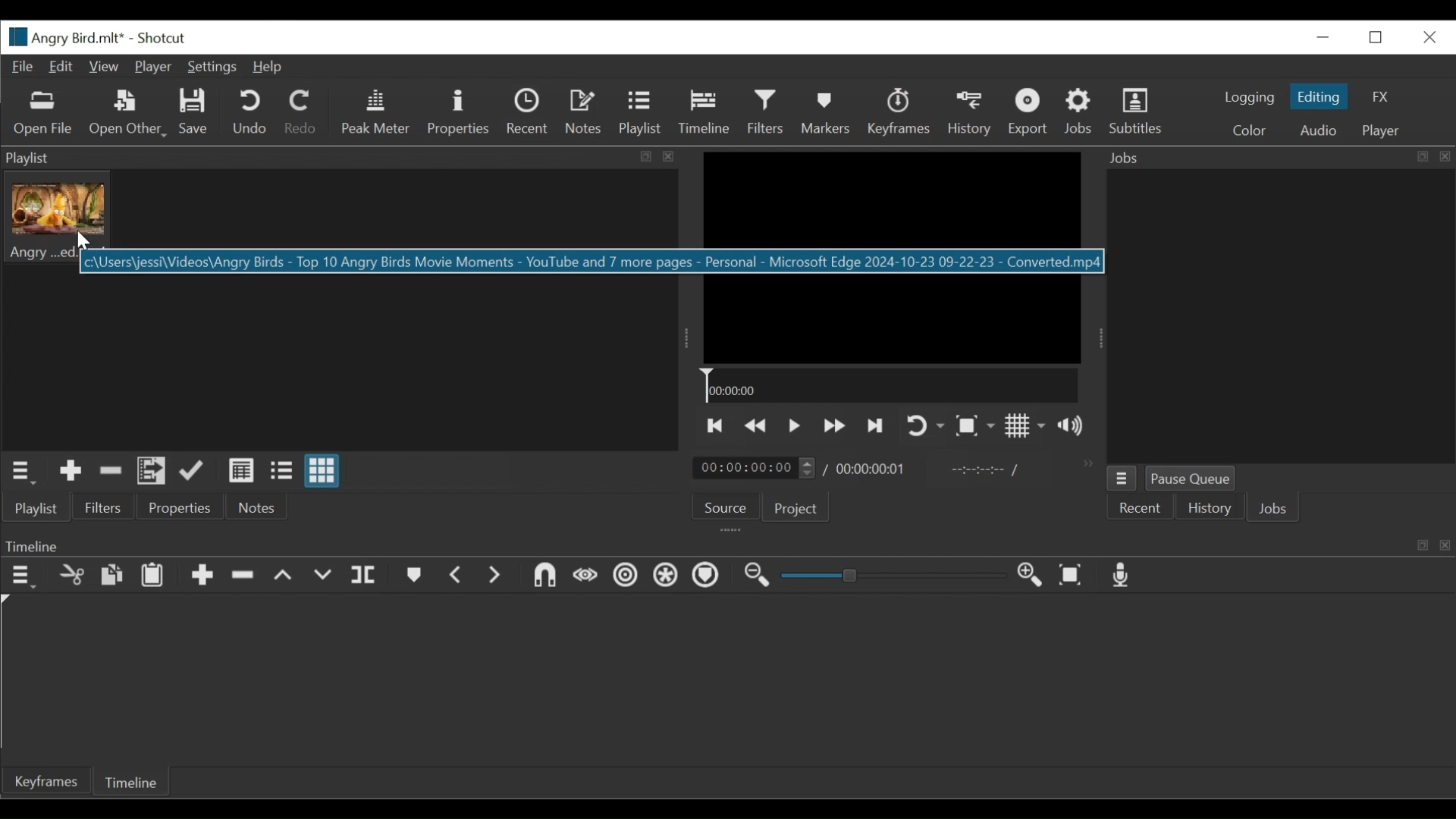  Describe the element at coordinates (1382, 132) in the screenshot. I see `Player` at that location.